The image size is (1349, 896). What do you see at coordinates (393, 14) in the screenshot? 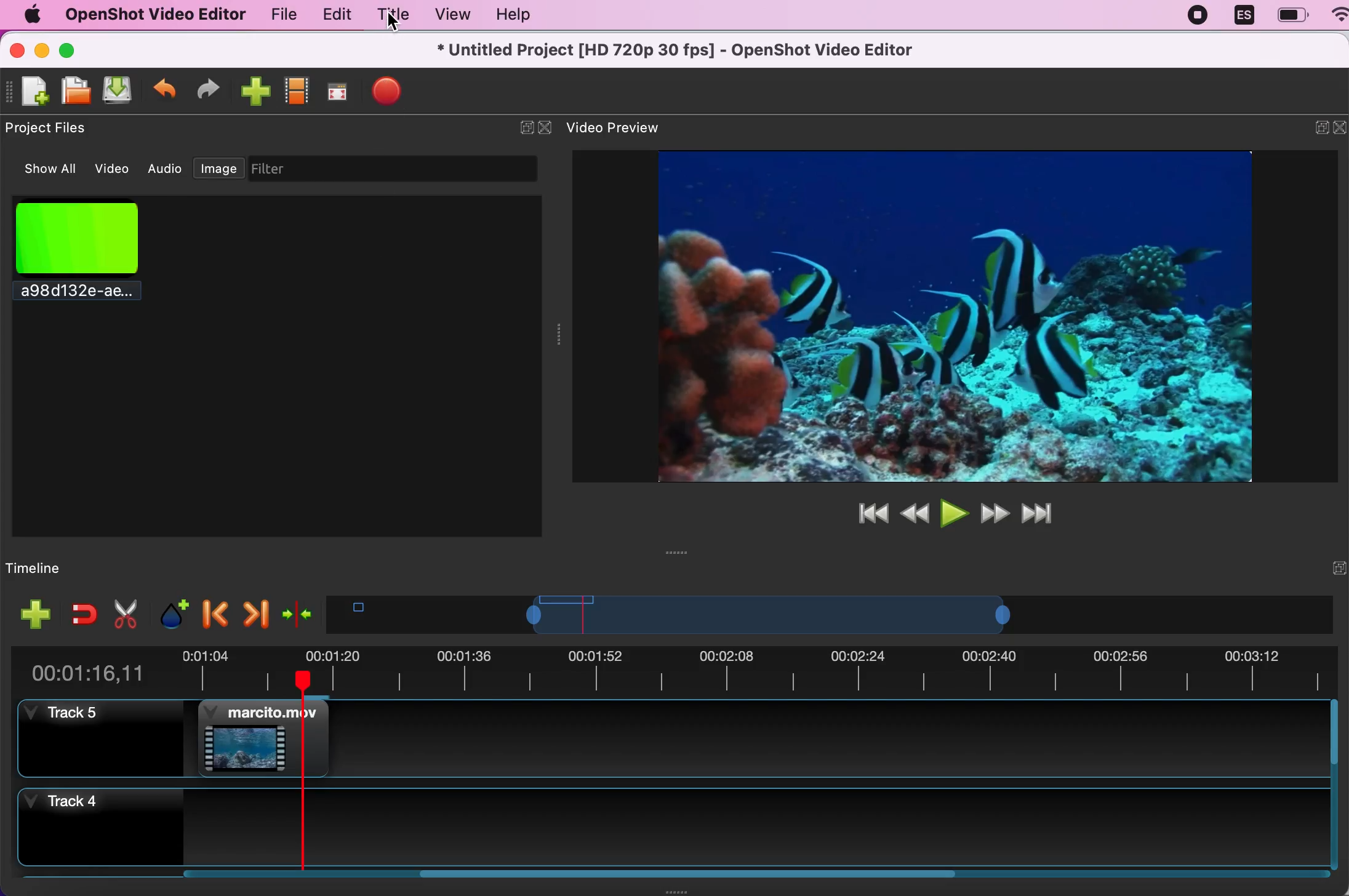
I see `title` at bounding box center [393, 14].